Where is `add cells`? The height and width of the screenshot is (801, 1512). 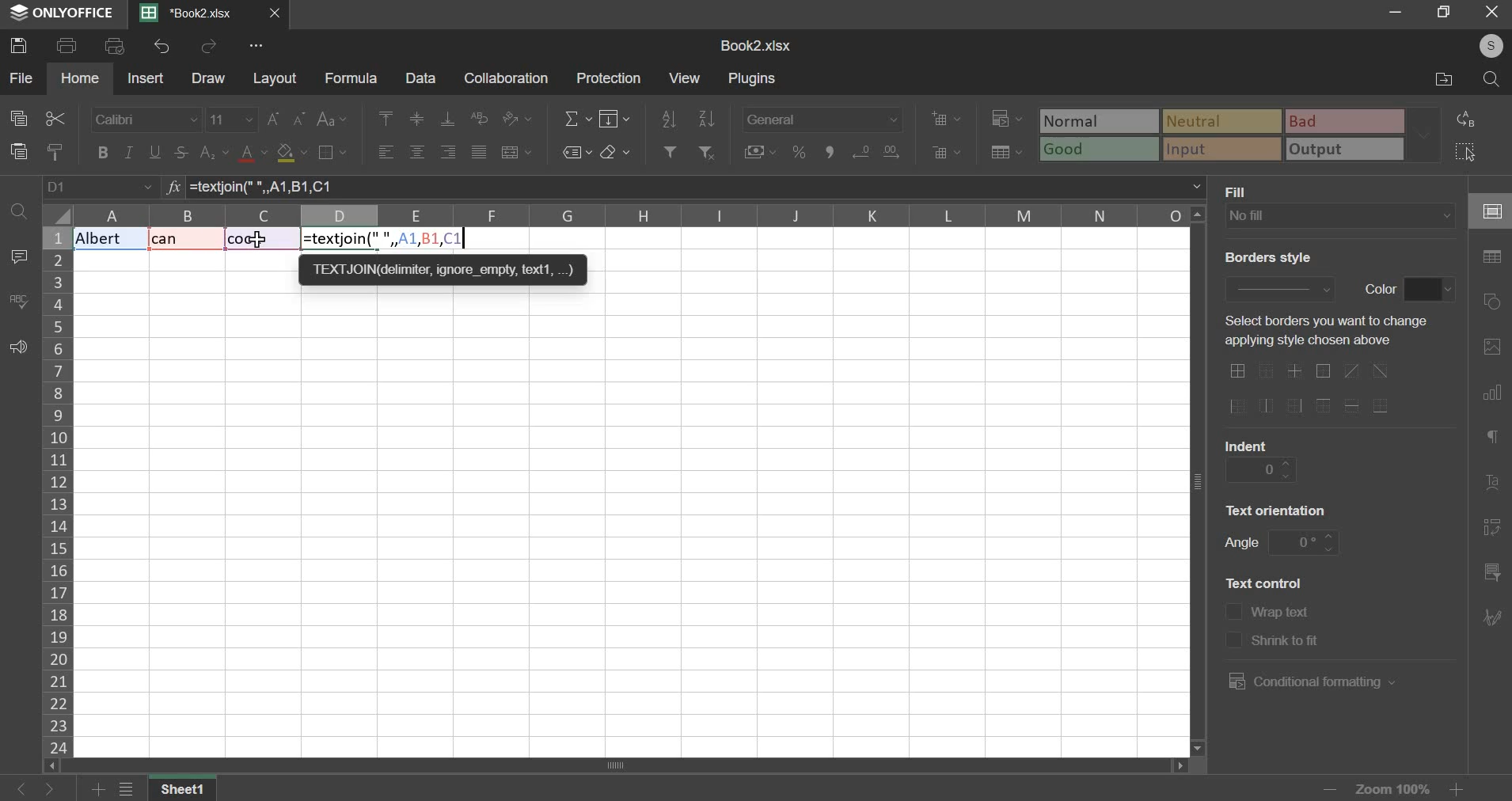 add cells is located at coordinates (946, 118).